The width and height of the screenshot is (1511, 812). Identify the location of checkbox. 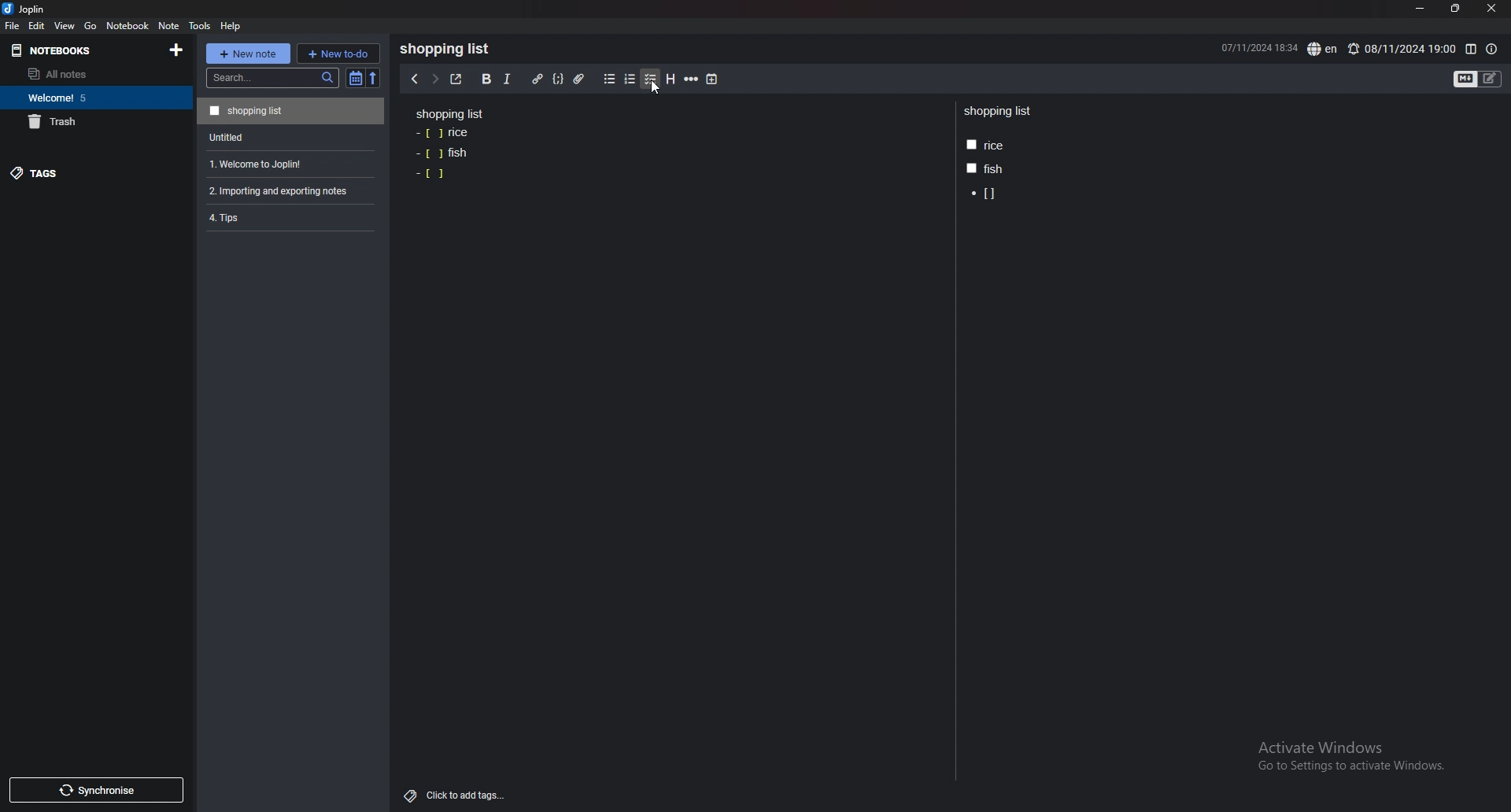
(651, 79).